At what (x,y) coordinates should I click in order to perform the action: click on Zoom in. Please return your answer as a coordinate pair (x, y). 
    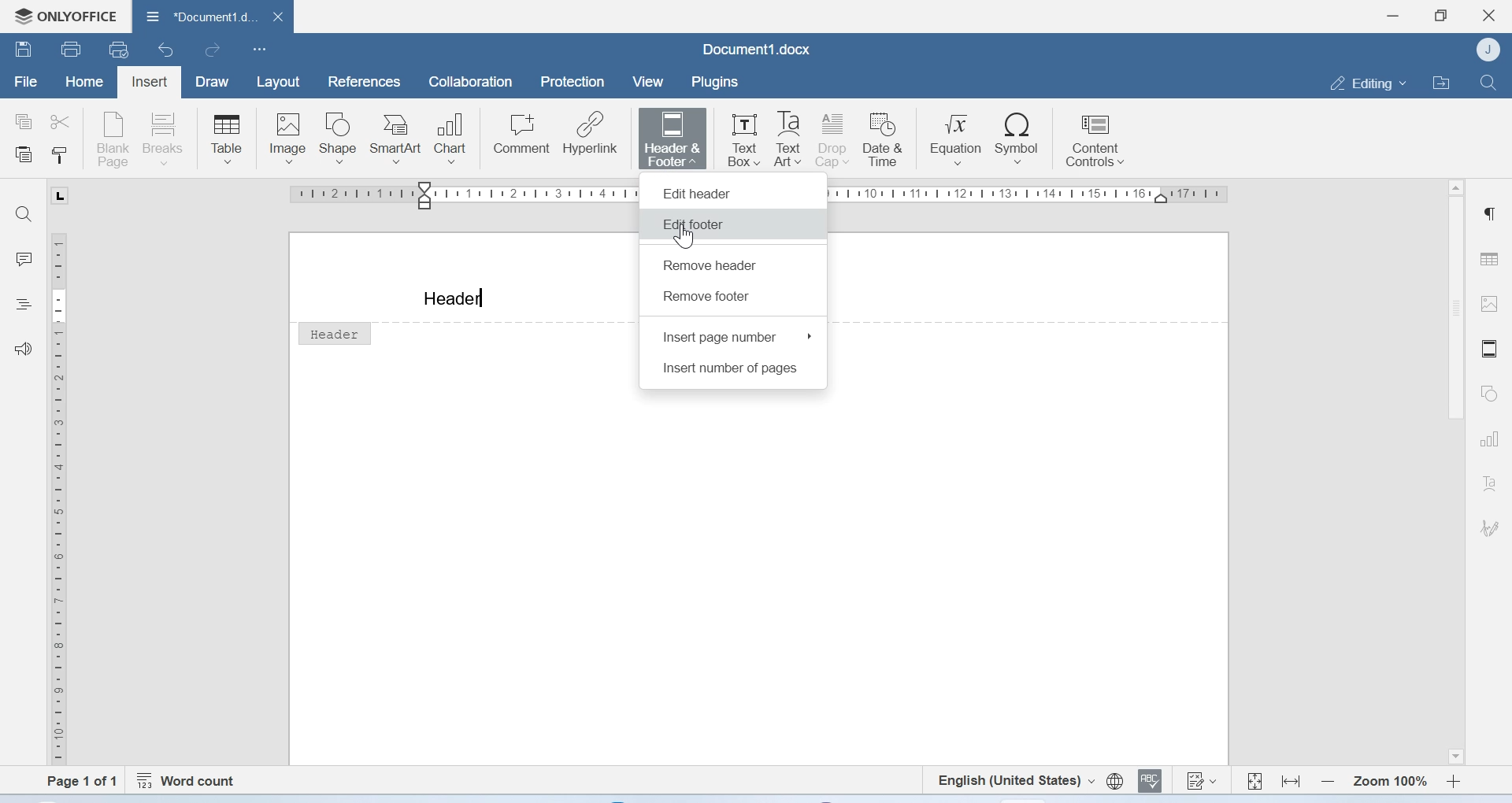
    Looking at the image, I should click on (1454, 779).